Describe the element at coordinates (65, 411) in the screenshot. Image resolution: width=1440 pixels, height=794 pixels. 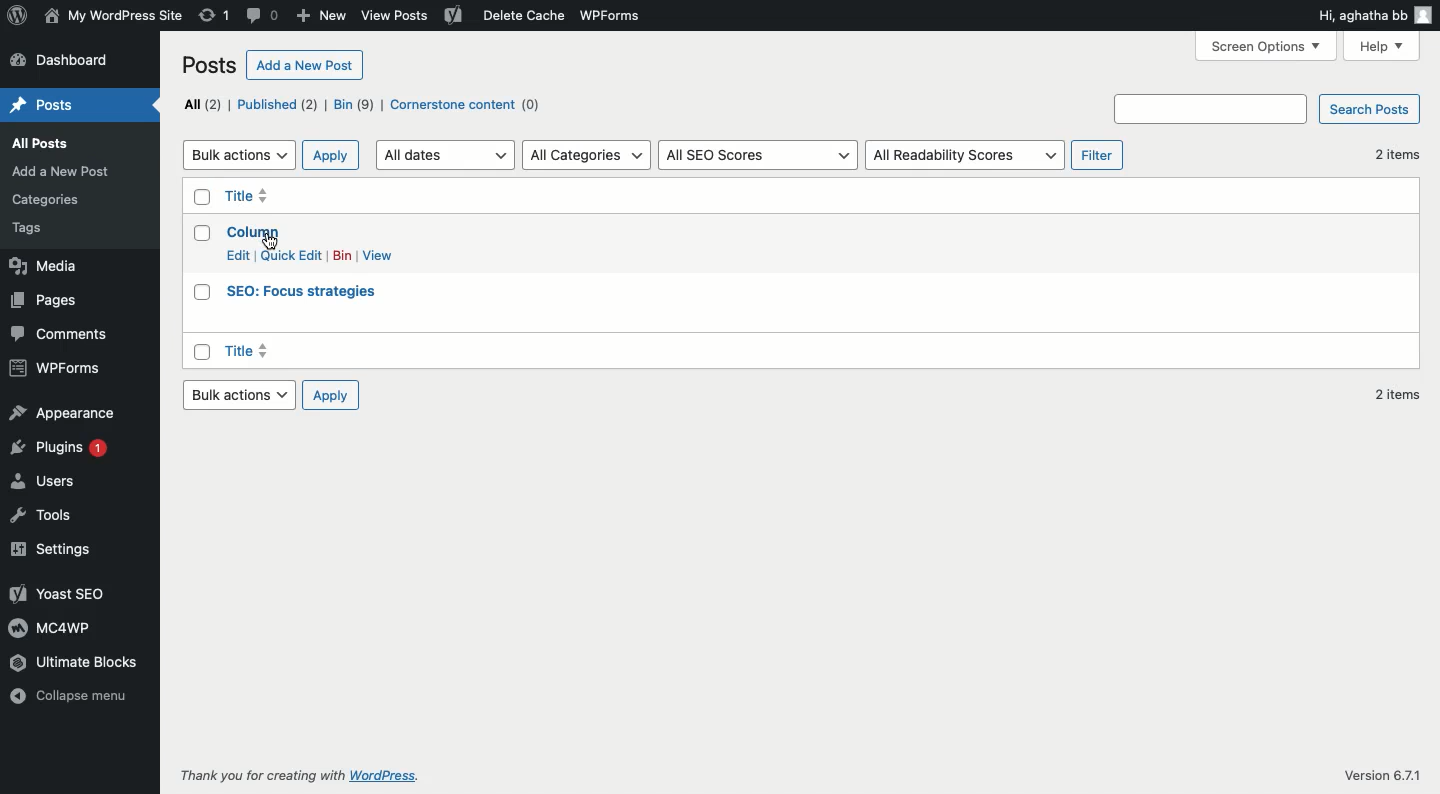
I see `Appearance` at that location.